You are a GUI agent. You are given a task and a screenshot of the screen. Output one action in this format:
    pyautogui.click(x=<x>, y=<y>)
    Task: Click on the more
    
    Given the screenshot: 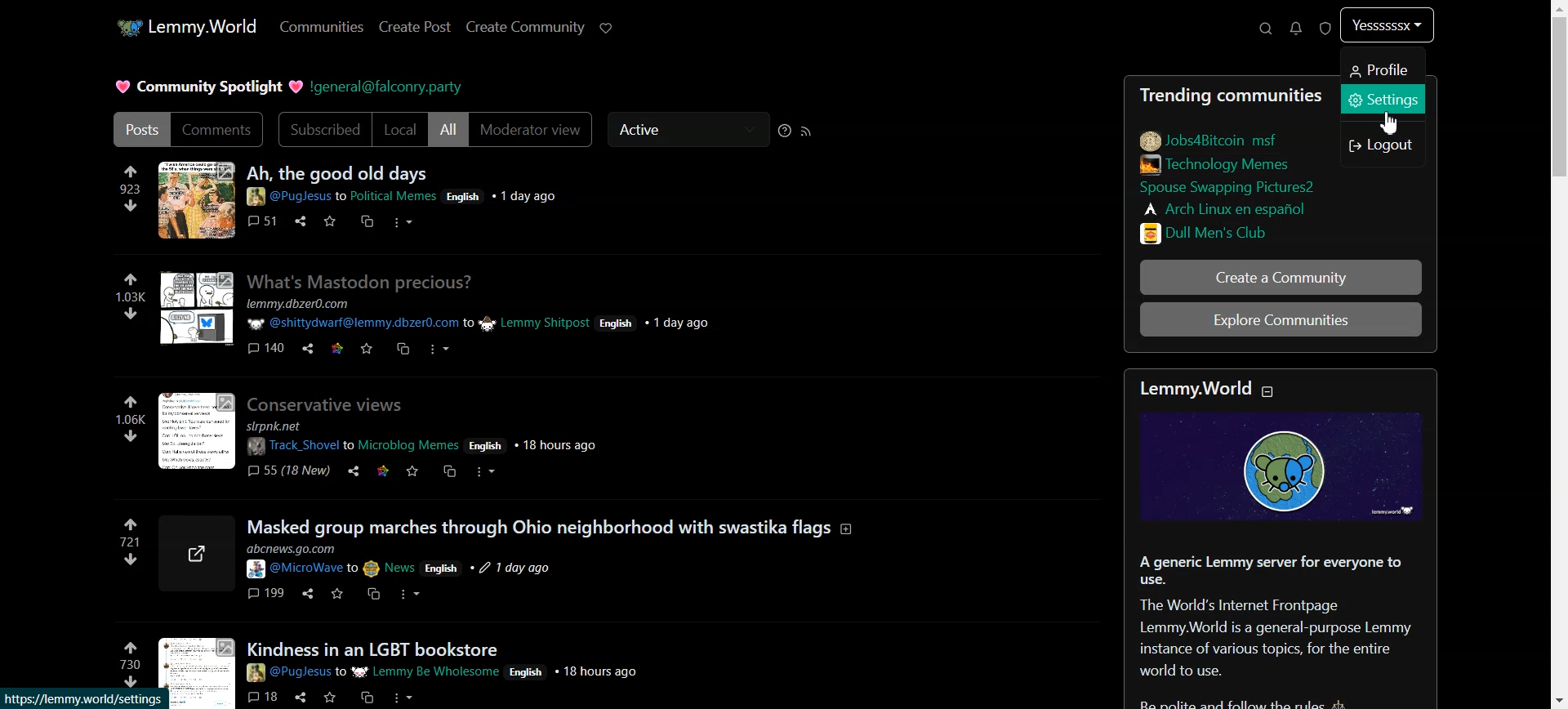 What is the action you would take?
    pyautogui.click(x=484, y=474)
    